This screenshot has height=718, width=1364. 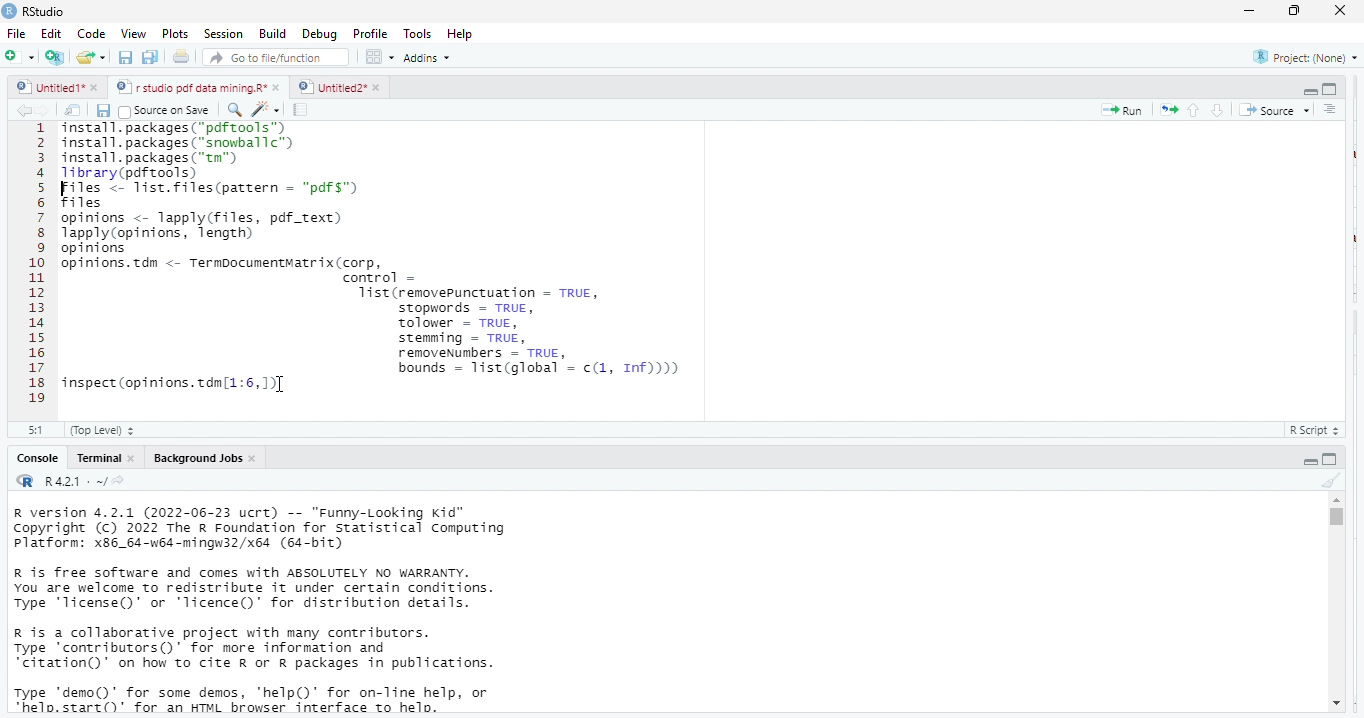 I want to click on view, so click(x=128, y=34).